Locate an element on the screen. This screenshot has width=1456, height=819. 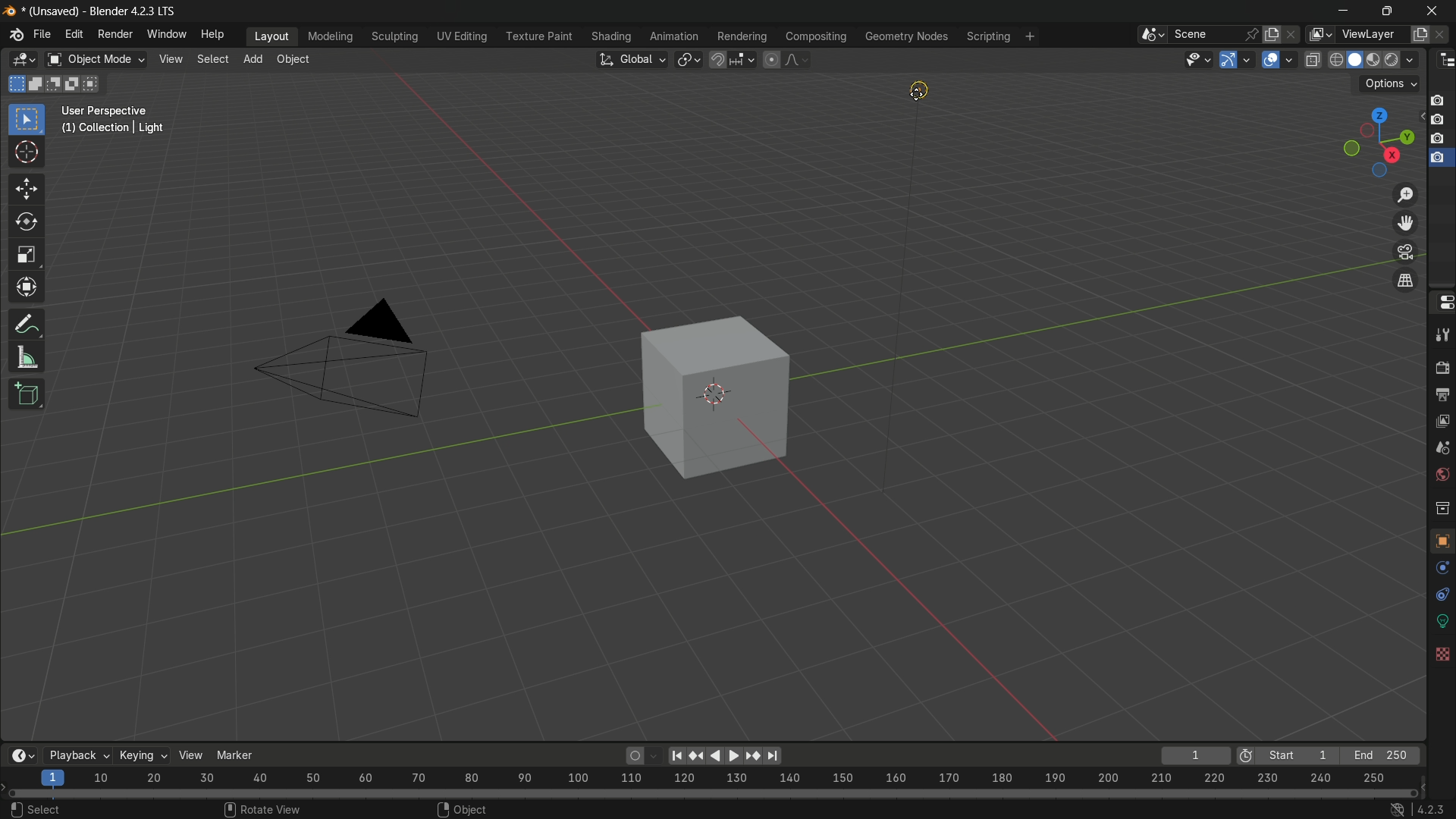
data is located at coordinates (1441, 673).